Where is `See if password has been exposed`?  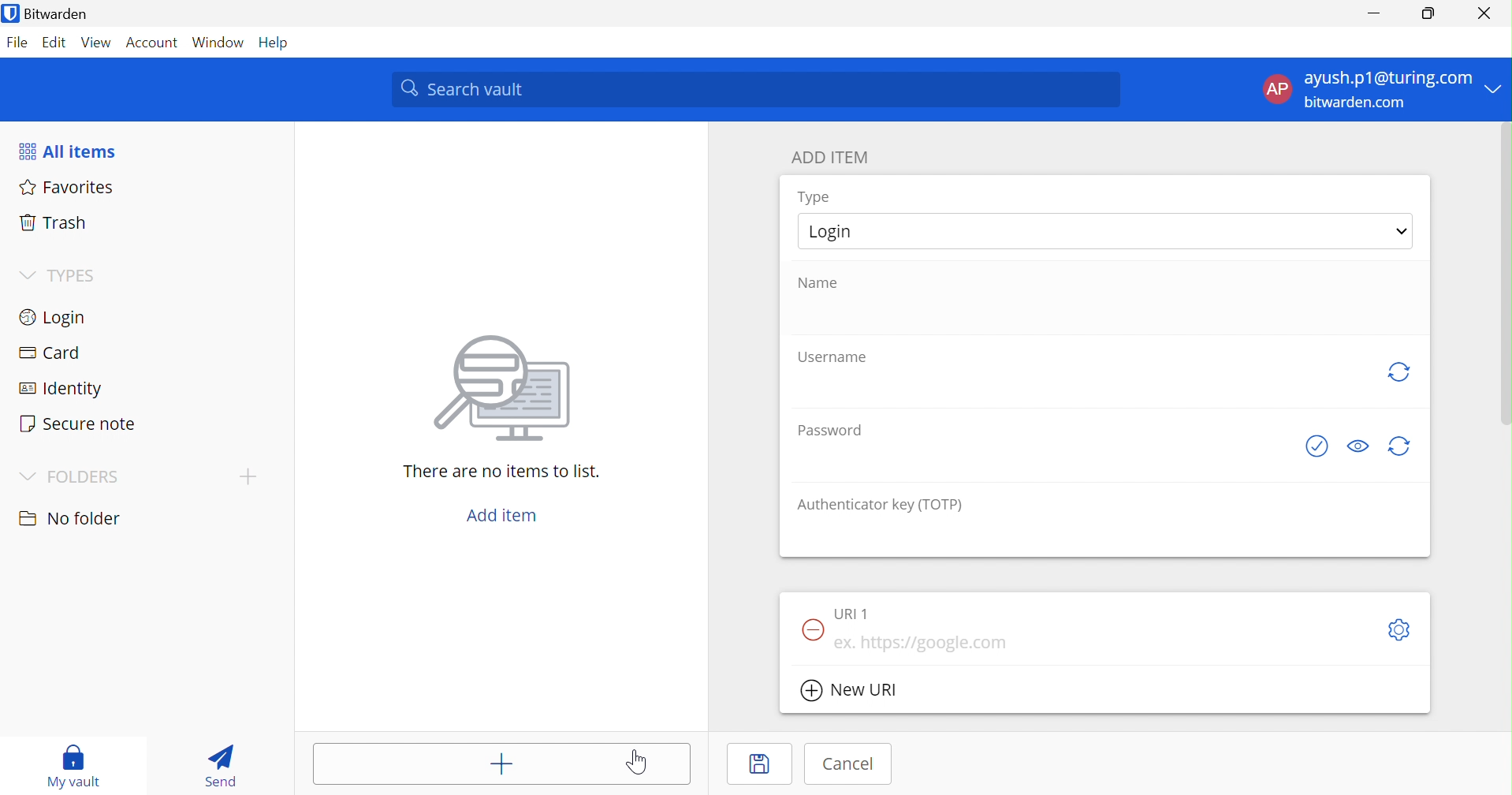 See if password has been exposed is located at coordinates (1317, 447).